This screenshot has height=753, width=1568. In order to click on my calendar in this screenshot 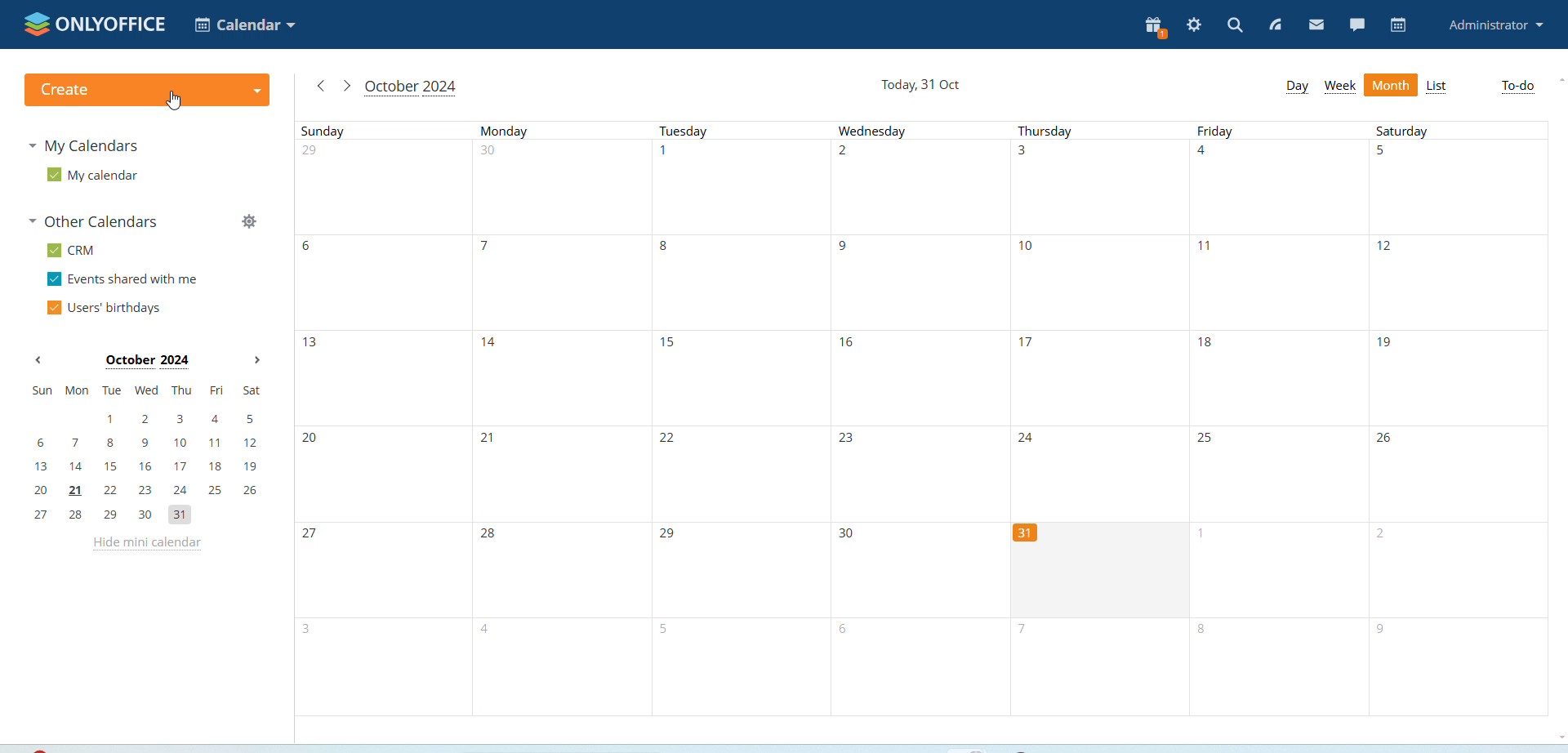, I will do `click(97, 174)`.